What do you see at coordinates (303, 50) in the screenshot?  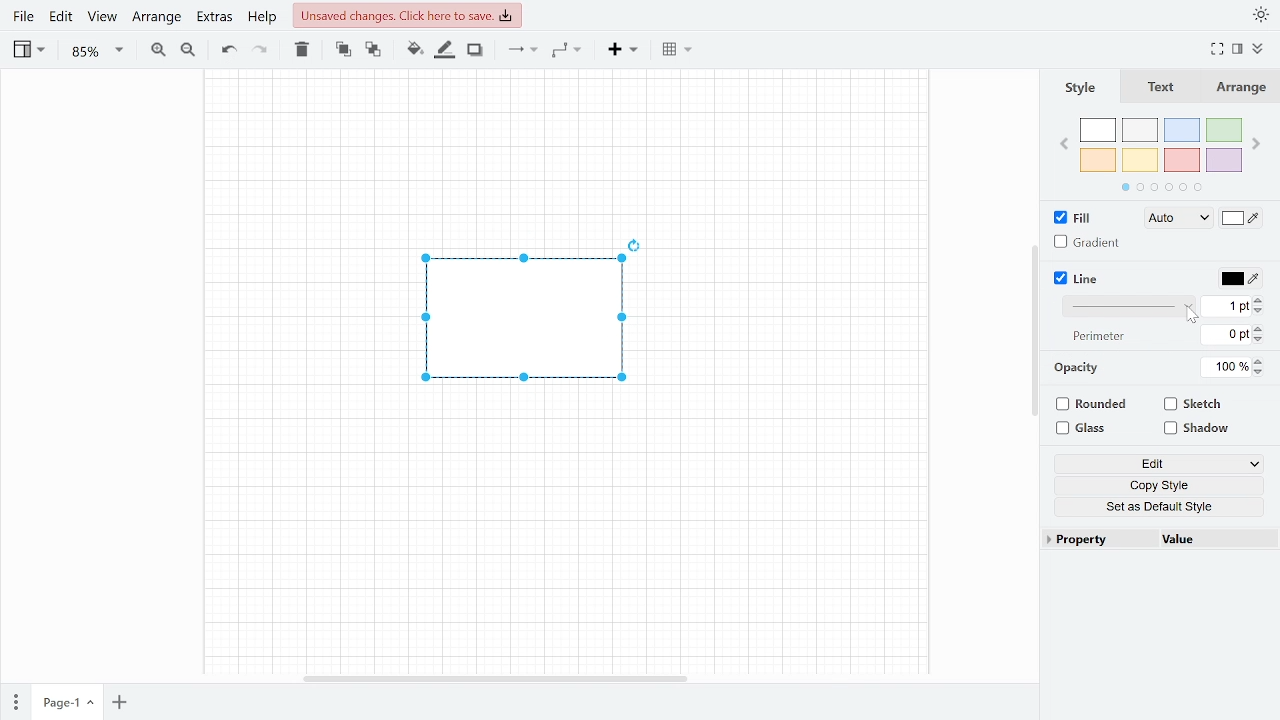 I see `Delete` at bounding box center [303, 50].